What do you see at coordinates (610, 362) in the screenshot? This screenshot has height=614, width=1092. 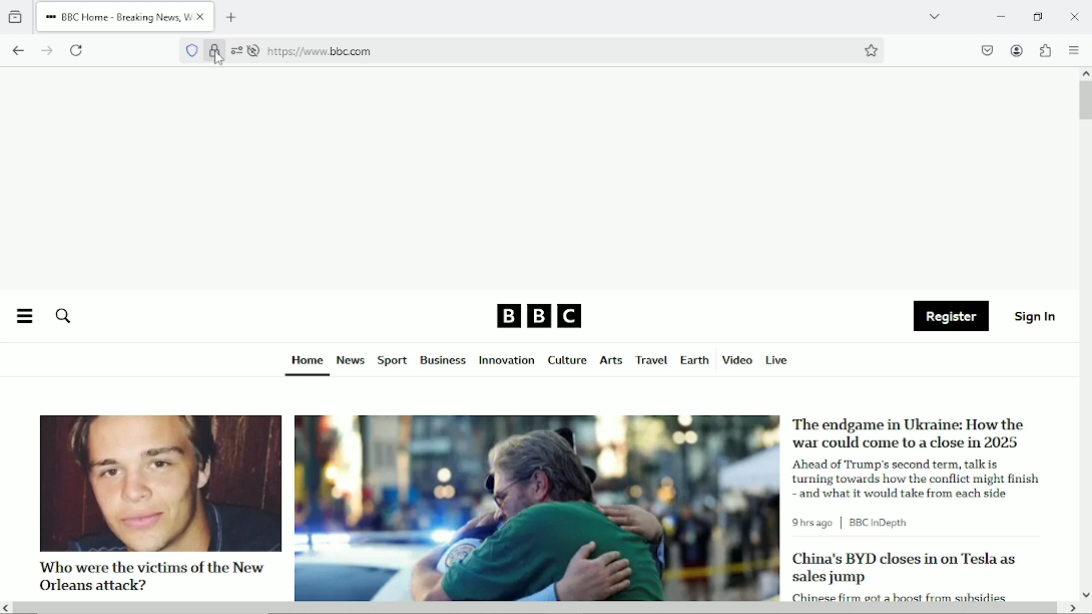 I see `Arts` at bounding box center [610, 362].